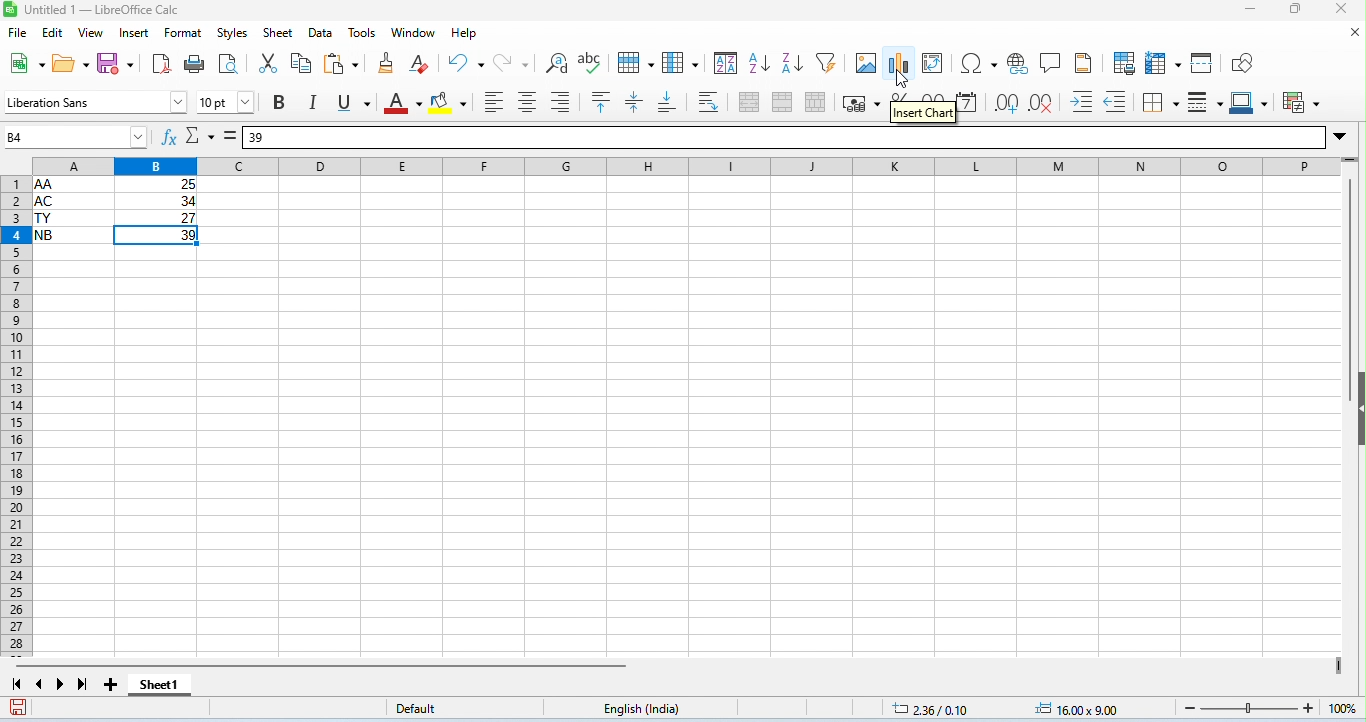 This screenshot has width=1366, height=722. What do you see at coordinates (1083, 103) in the screenshot?
I see `increase indent` at bounding box center [1083, 103].